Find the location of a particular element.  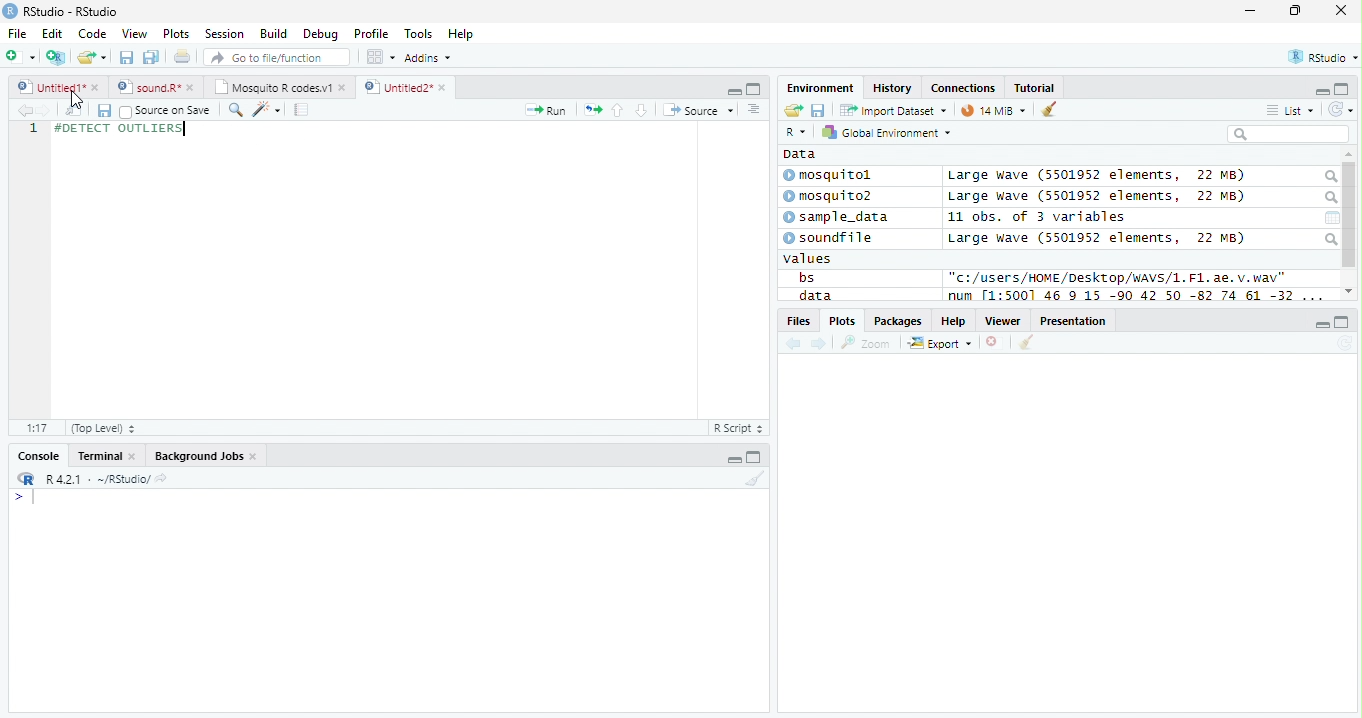

Show document outline is located at coordinates (753, 109).